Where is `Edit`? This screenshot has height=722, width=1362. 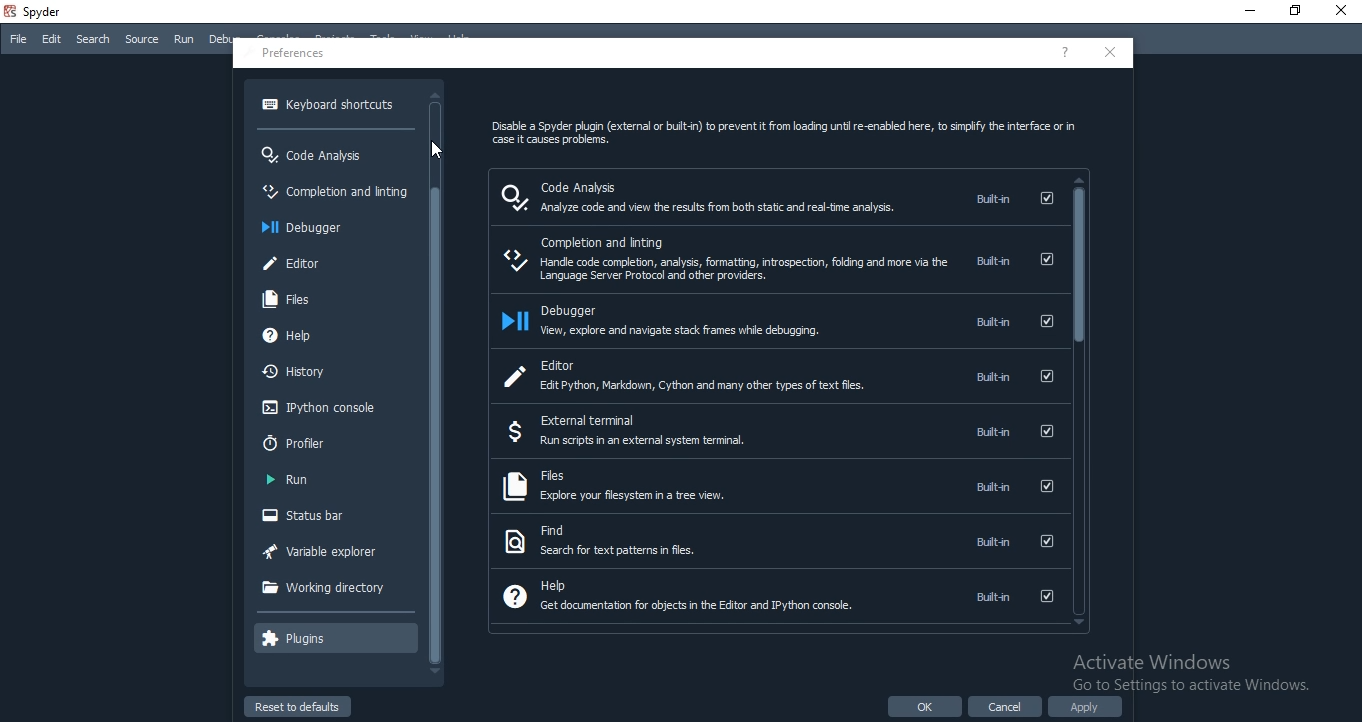
Edit is located at coordinates (52, 39).